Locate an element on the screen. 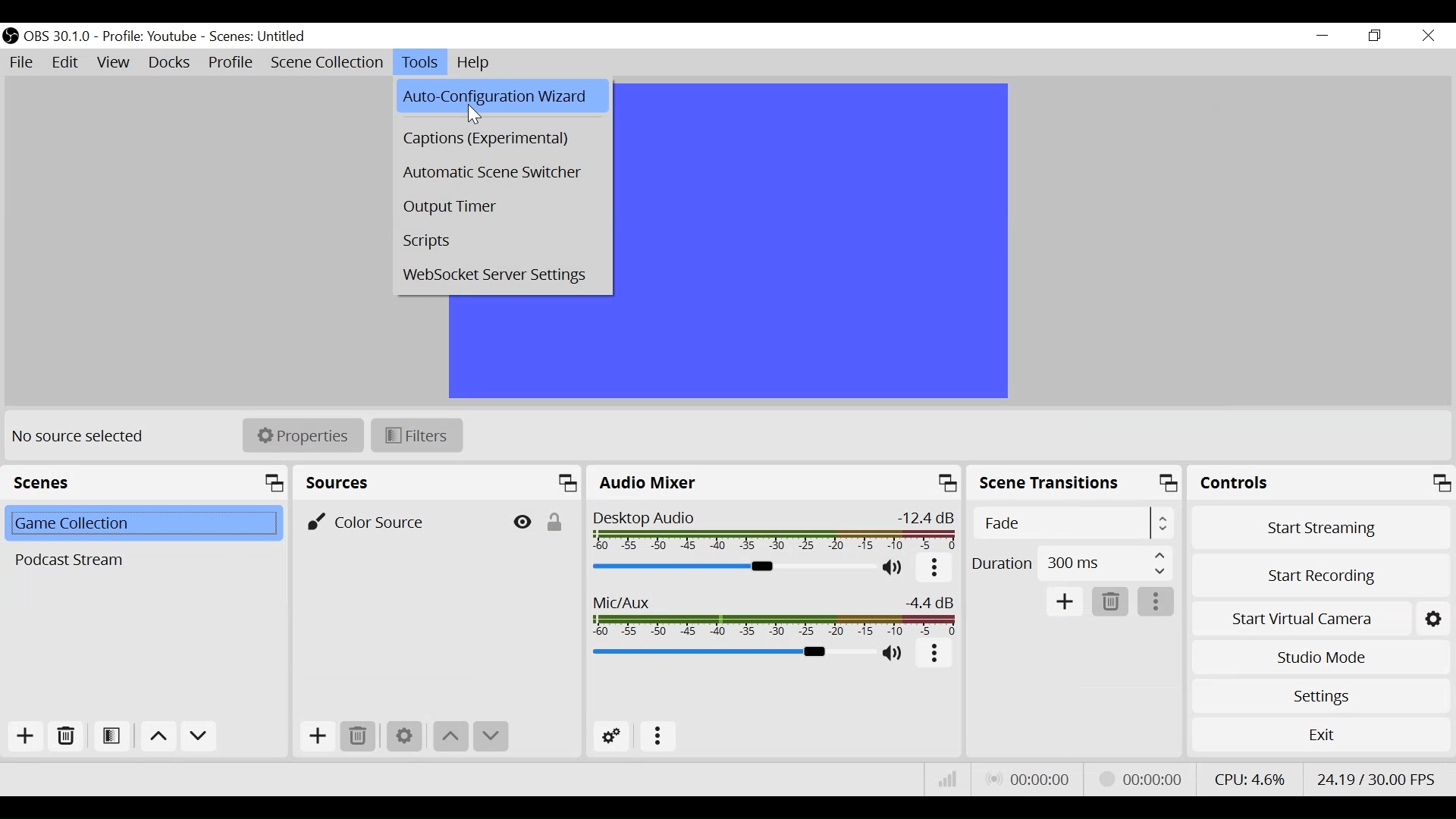  Studio Mode is located at coordinates (1319, 660).